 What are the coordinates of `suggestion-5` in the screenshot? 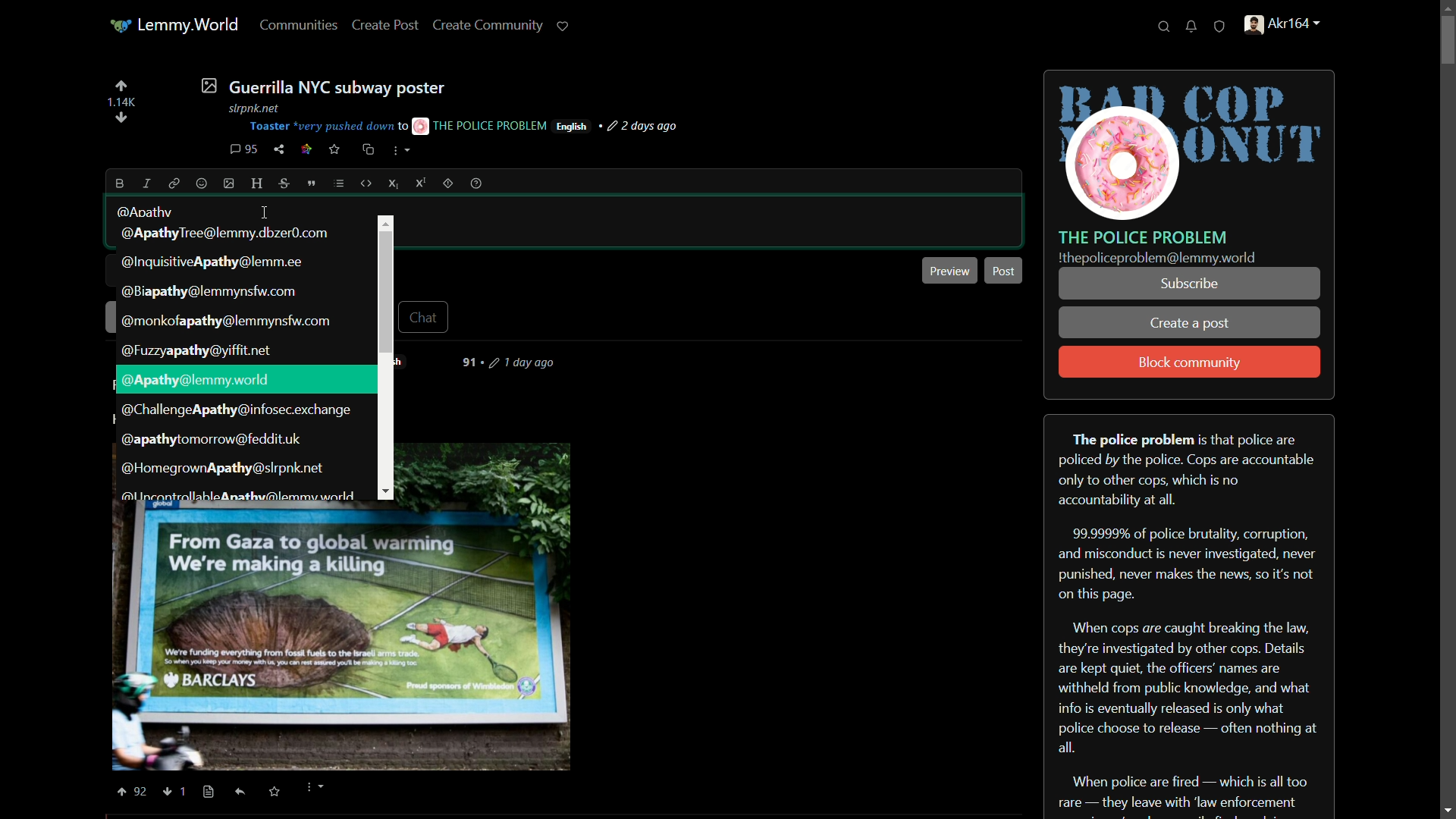 It's located at (198, 351).